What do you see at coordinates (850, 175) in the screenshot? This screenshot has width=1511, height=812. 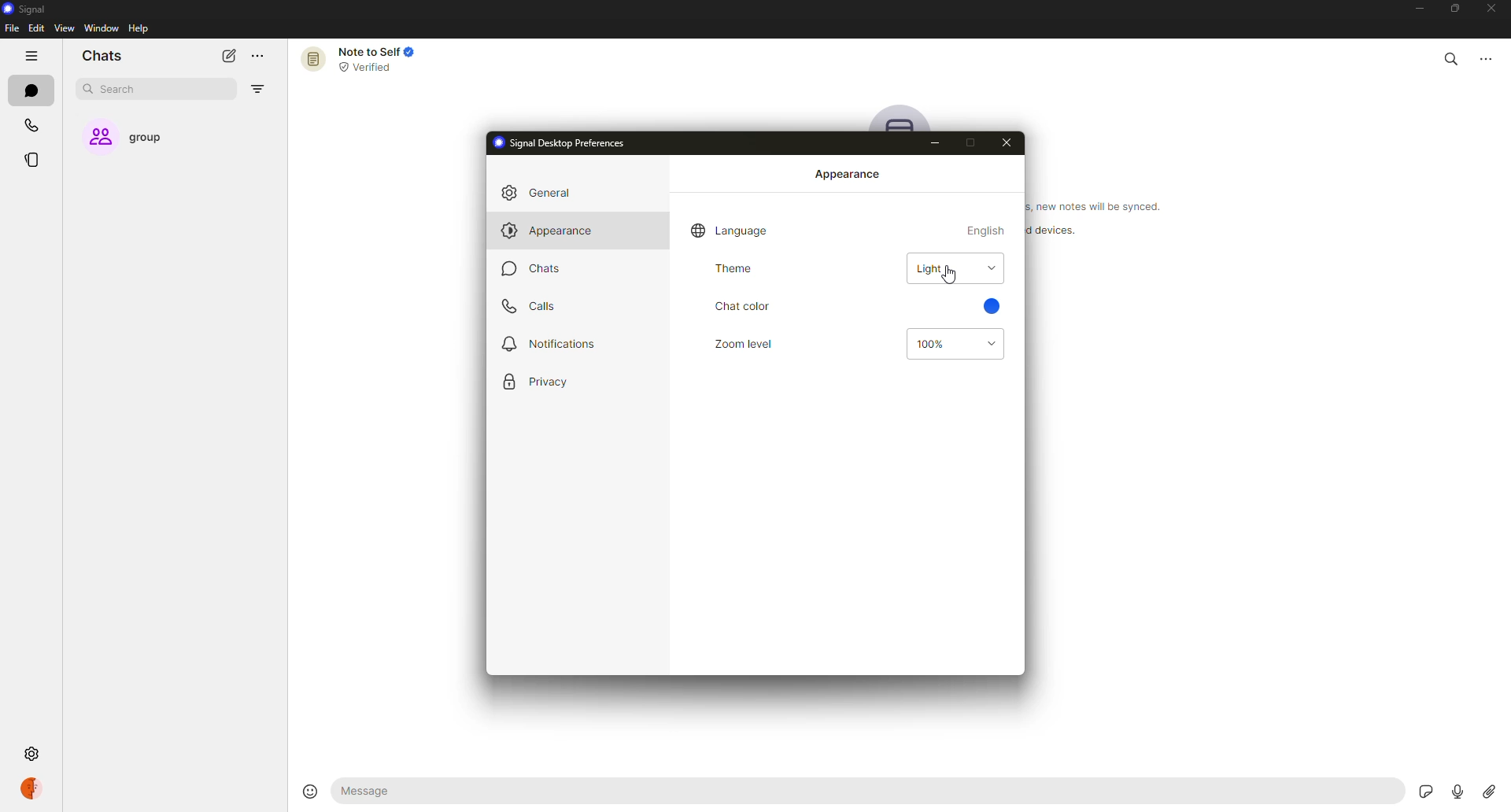 I see `appearance` at bounding box center [850, 175].